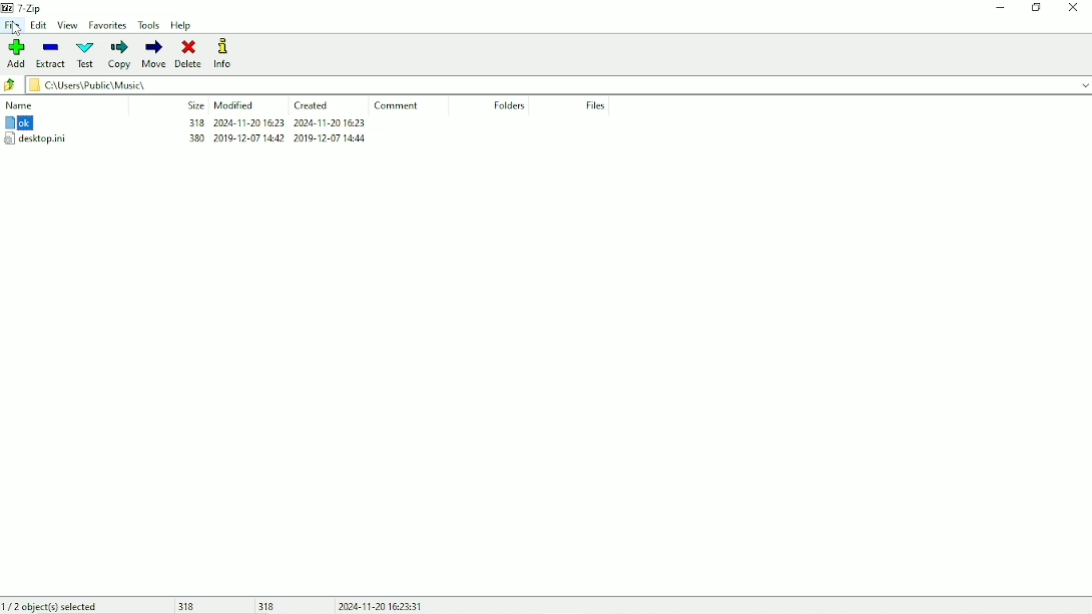  I want to click on Folders, so click(510, 105).